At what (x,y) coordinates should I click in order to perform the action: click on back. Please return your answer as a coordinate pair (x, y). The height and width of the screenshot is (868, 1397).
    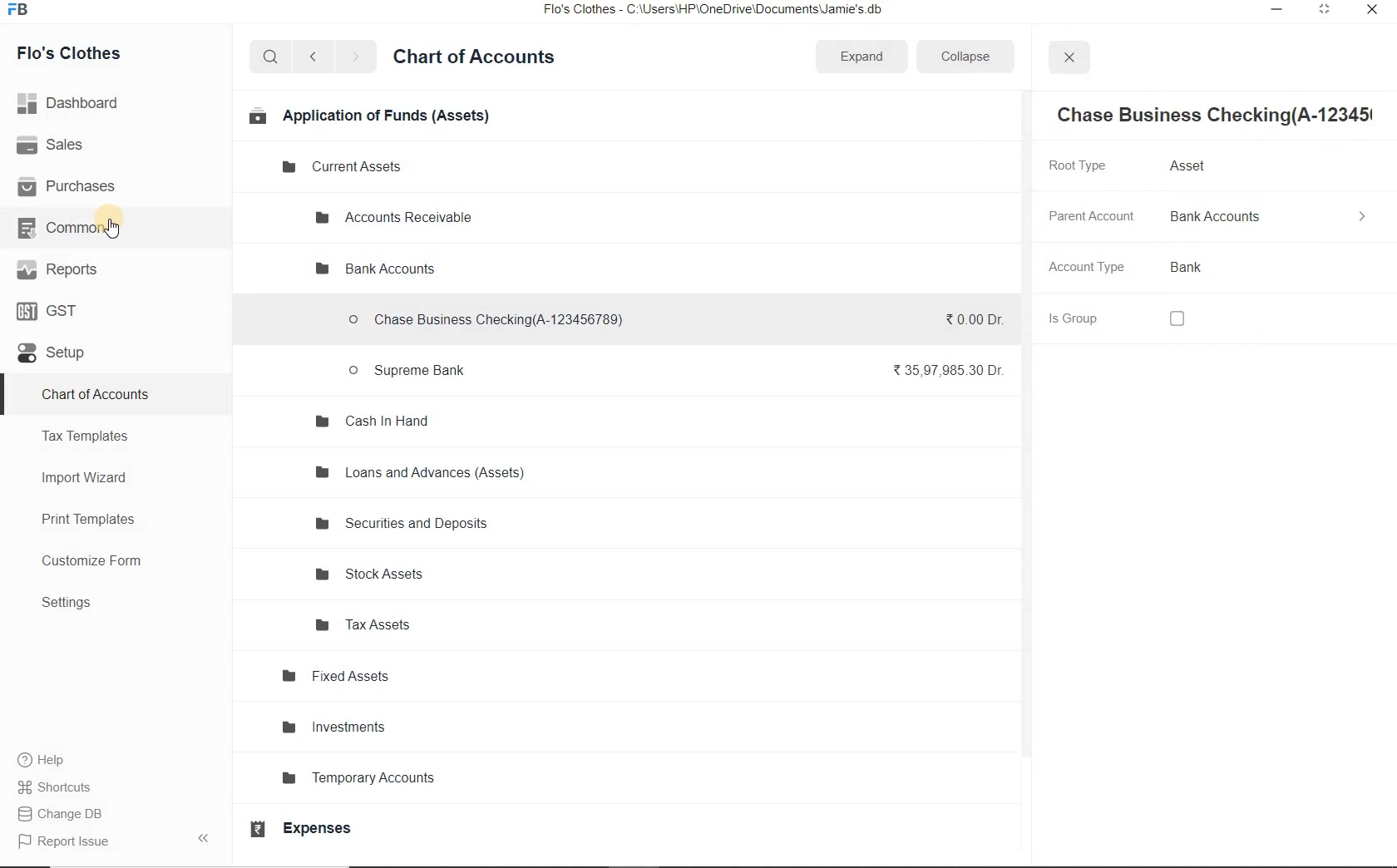
    Looking at the image, I should click on (313, 56).